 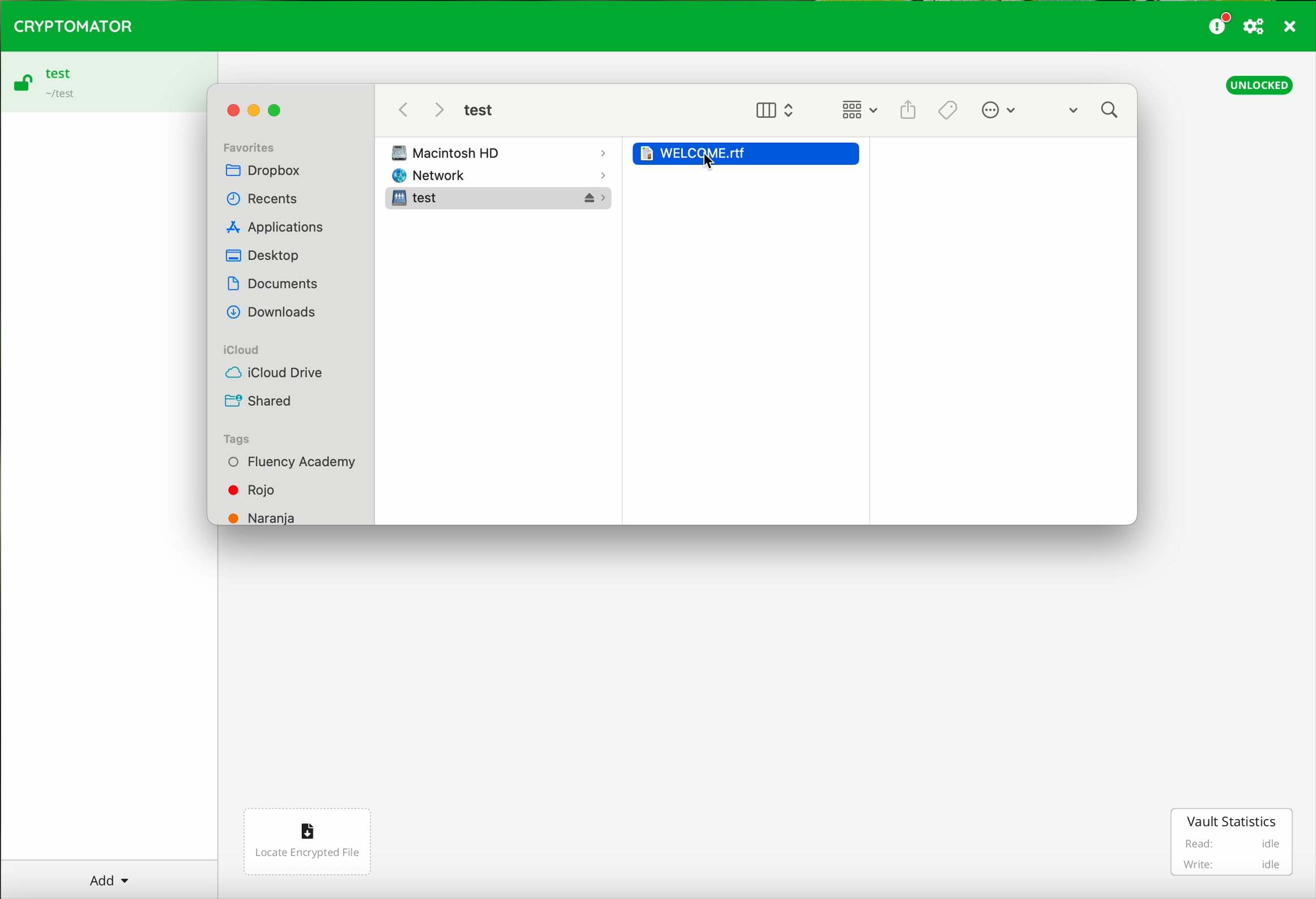 What do you see at coordinates (749, 150) in the screenshot?
I see `Welcome.rtf` at bounding box center [749, 150].